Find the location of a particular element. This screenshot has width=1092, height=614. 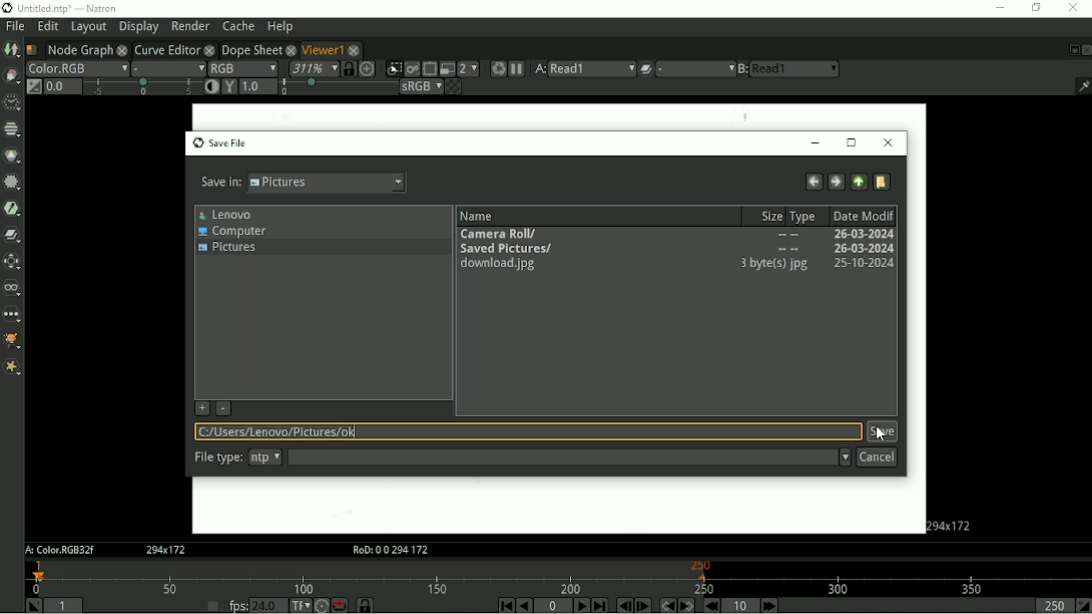

Previous keyframe is located at coordinates (667, 605).